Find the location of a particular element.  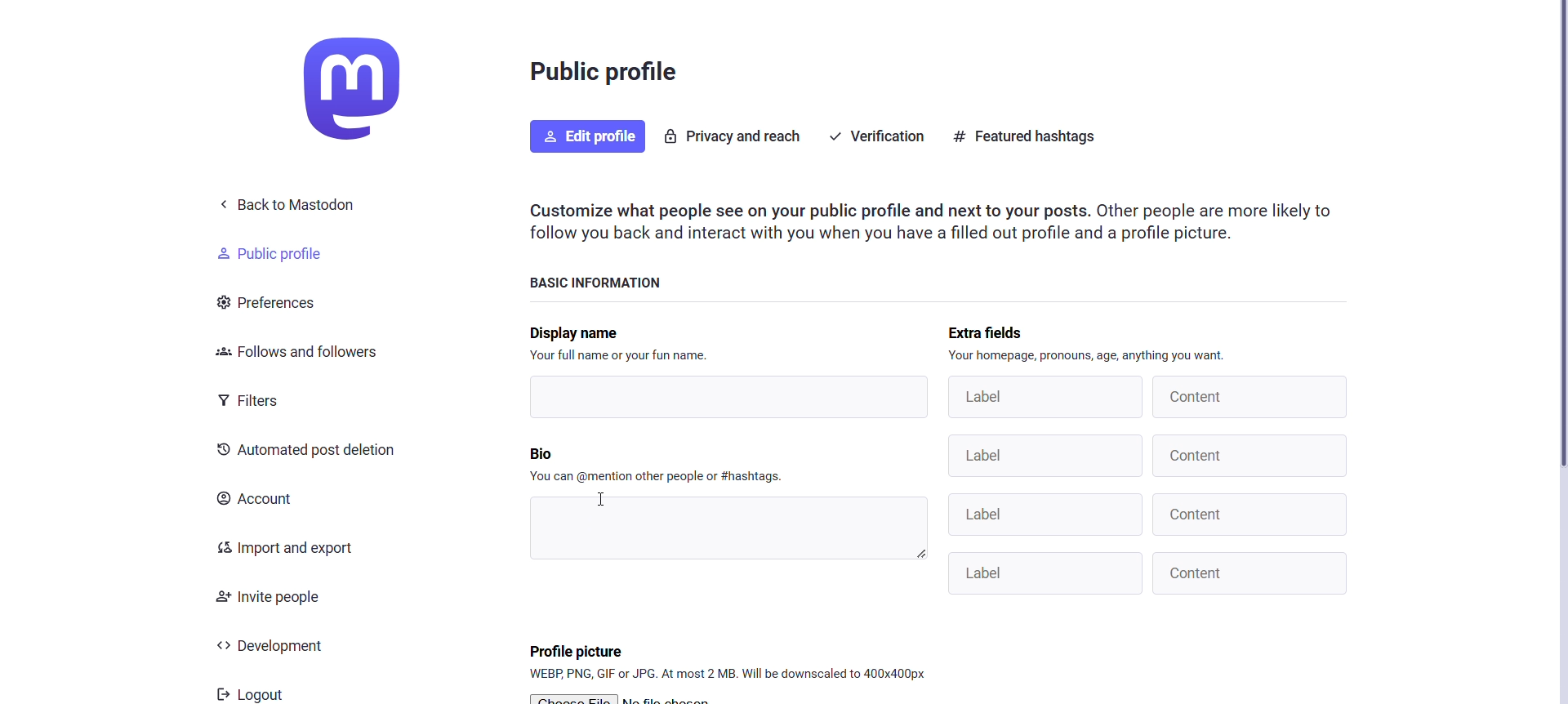

Filters is located at coordinates (257, 399).